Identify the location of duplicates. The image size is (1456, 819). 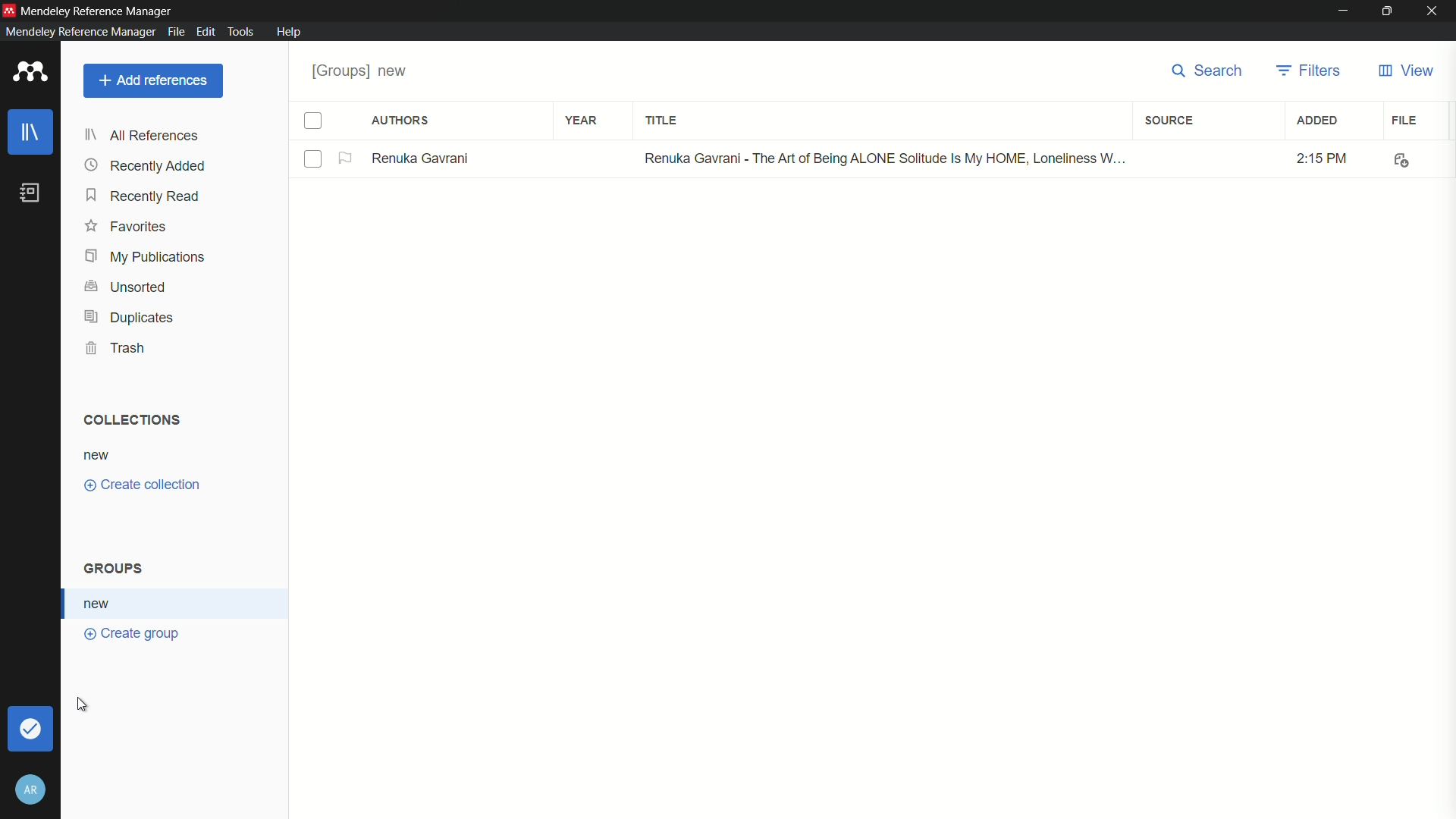
(129, 316).